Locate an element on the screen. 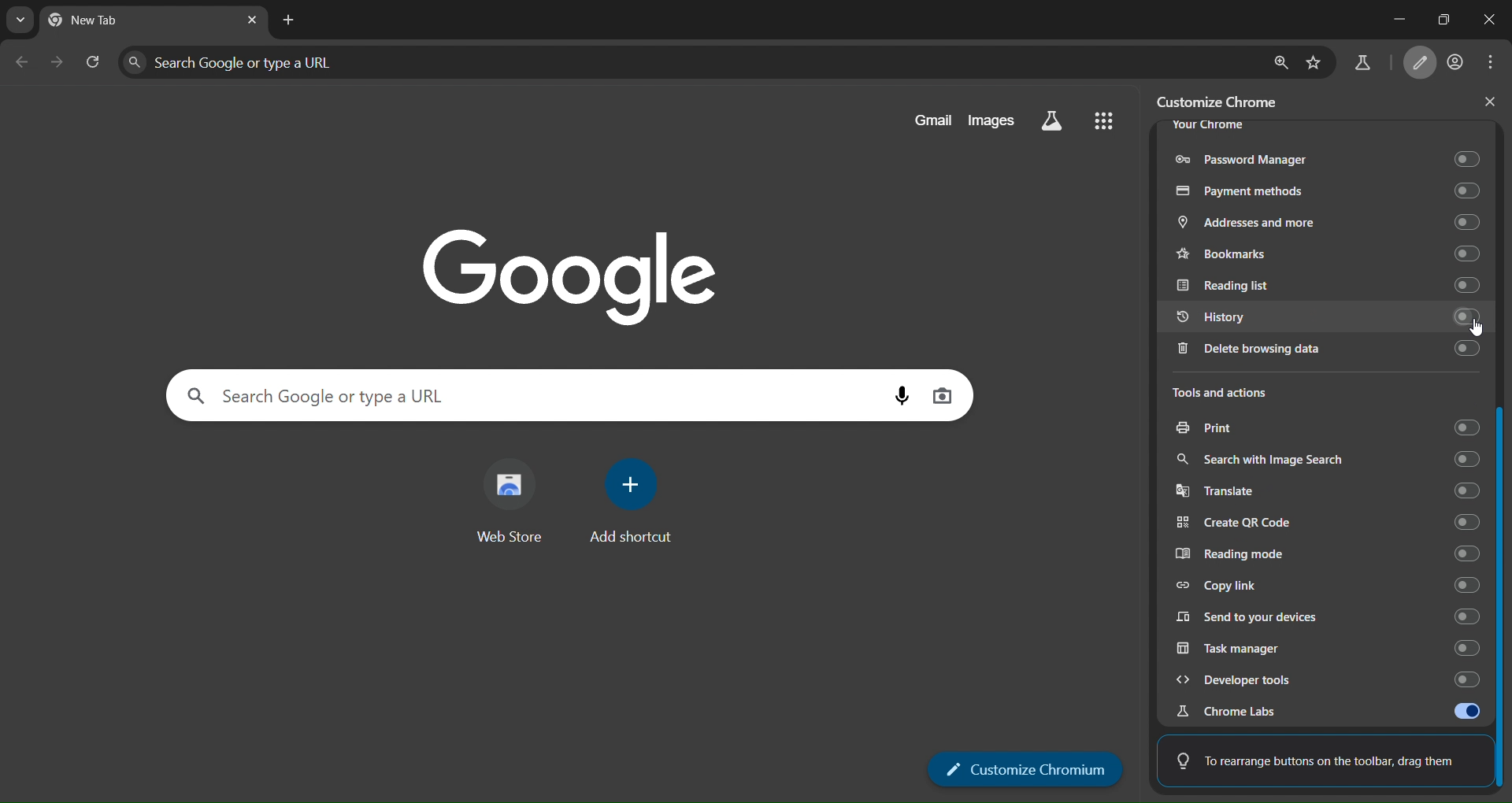 The height and width of the screenshot is (803, 1512). close is located at coordinates (1483, 20).